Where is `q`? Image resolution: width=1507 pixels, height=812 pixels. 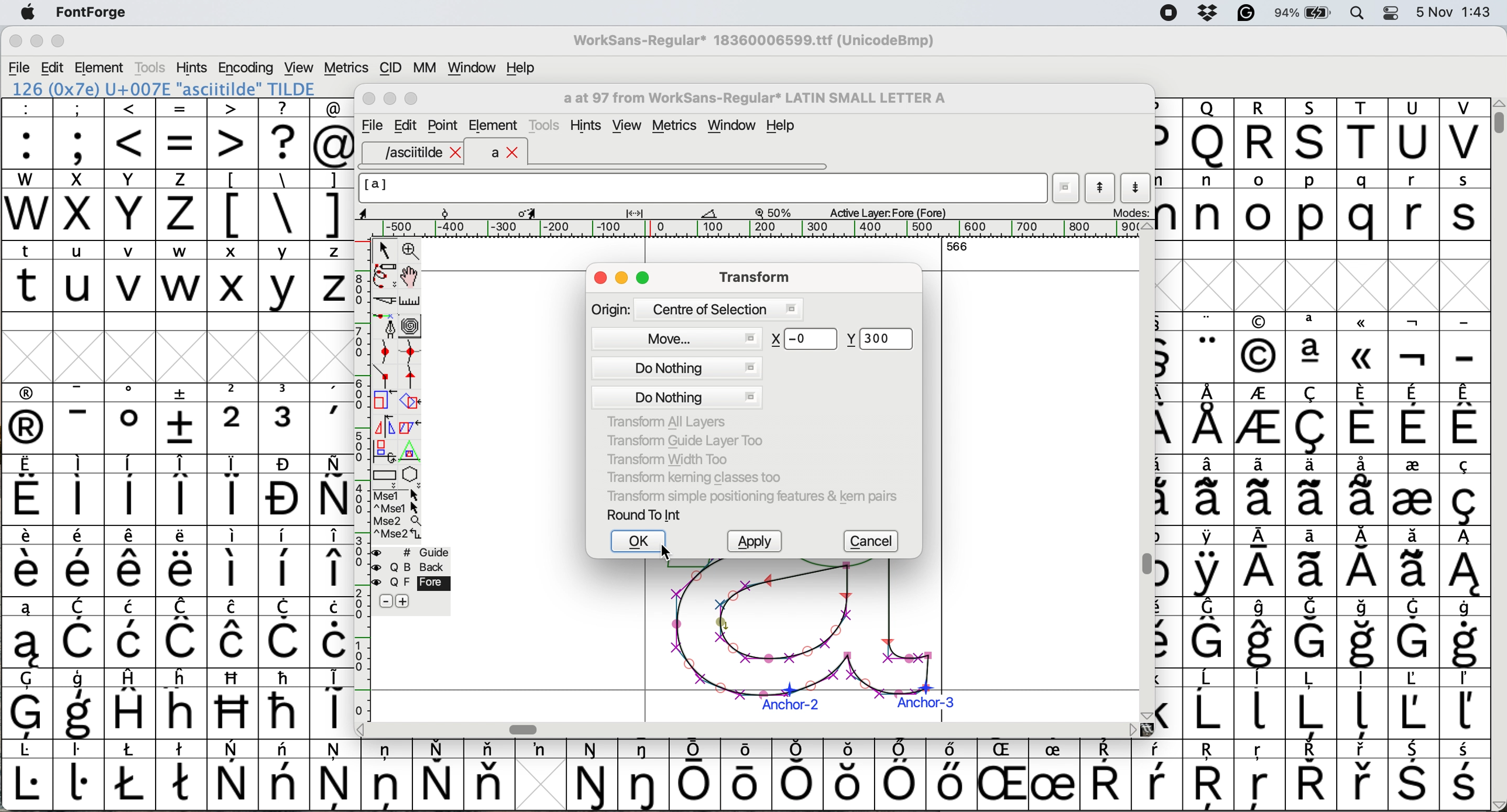
q is located at coordinates (1365, 206).